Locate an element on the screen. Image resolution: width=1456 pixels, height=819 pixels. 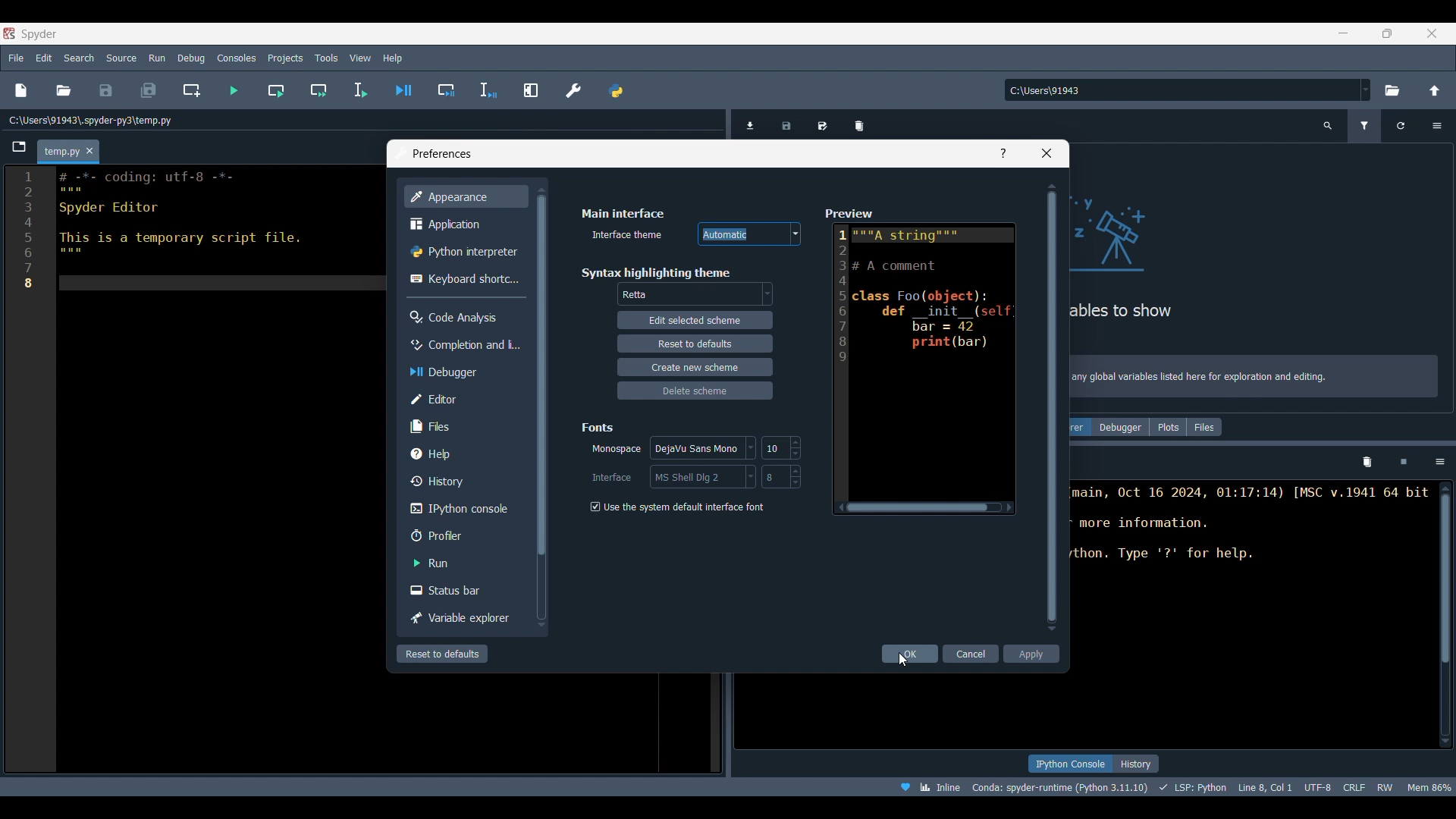
Open is located at coordinates (64, 90).